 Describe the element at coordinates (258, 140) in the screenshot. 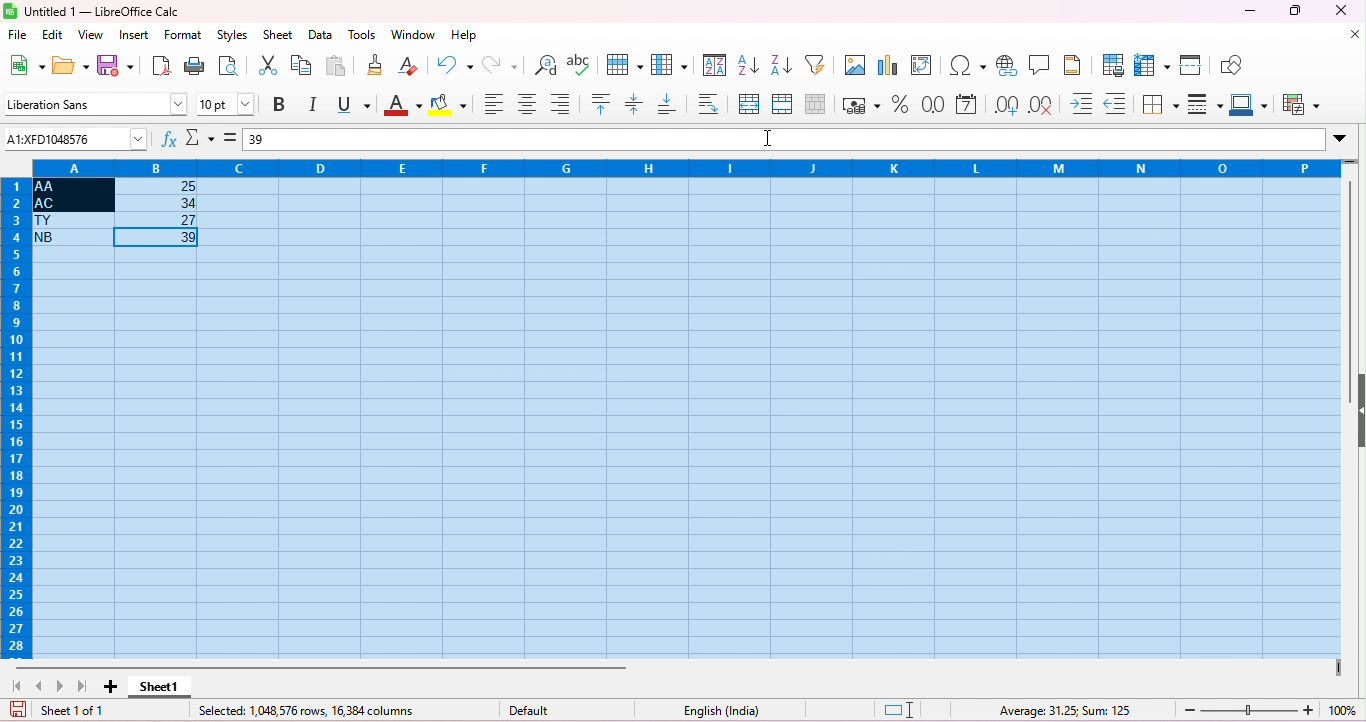

I see `39` at that location.